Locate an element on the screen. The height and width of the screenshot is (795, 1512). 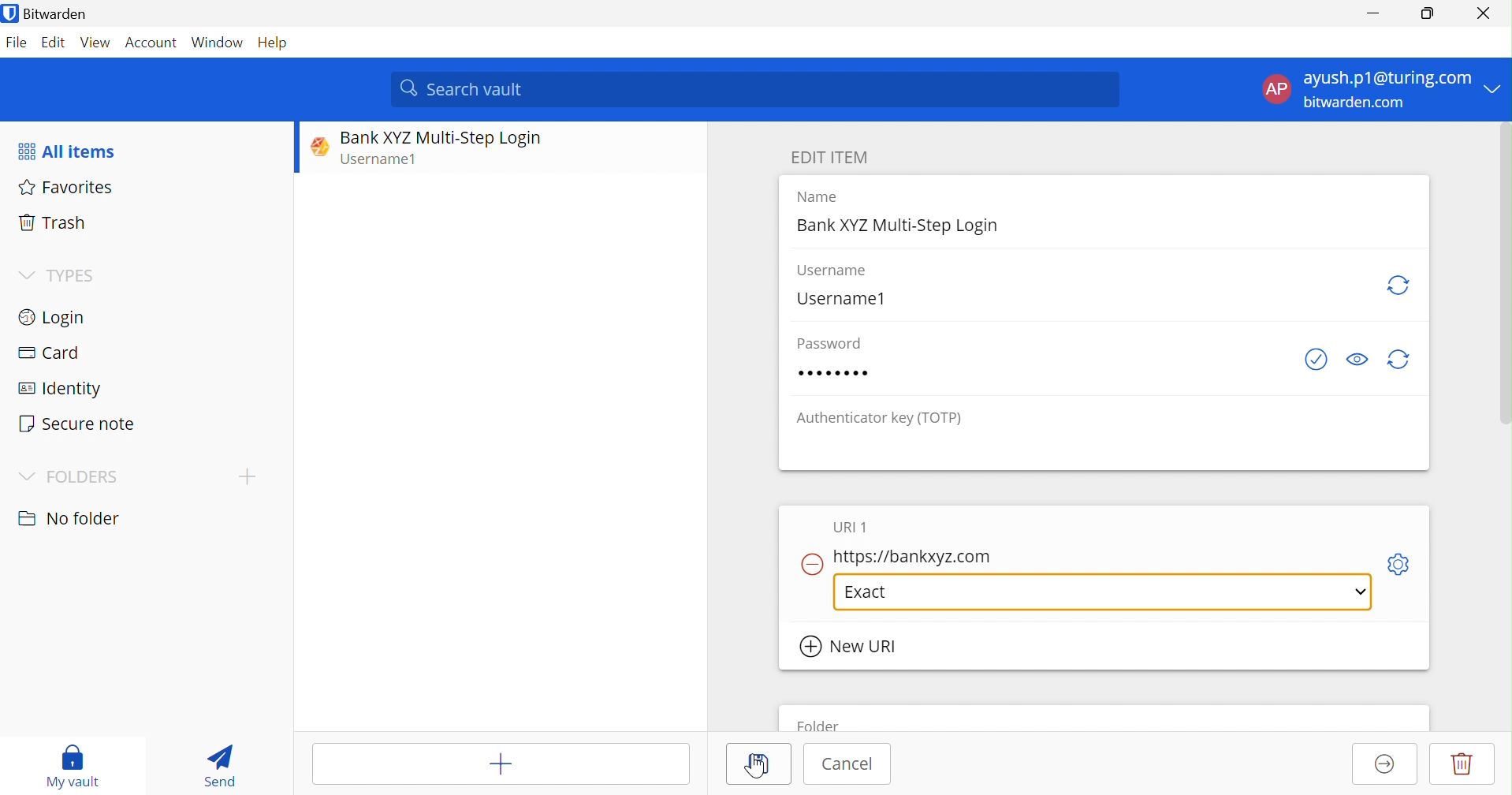
Check if password has been exposed is located at coordinates (1316, 361).